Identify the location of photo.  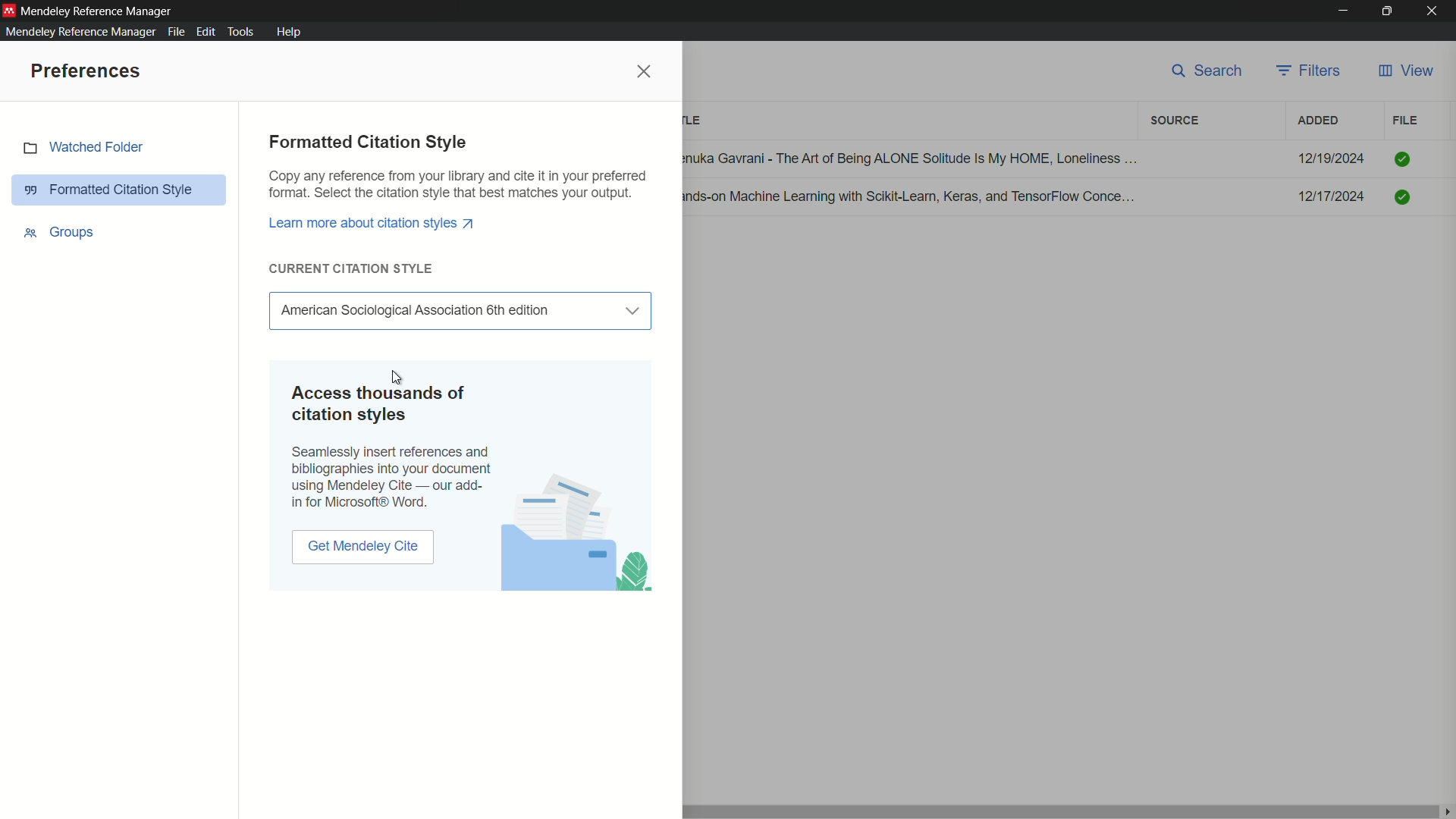
(576, 533).